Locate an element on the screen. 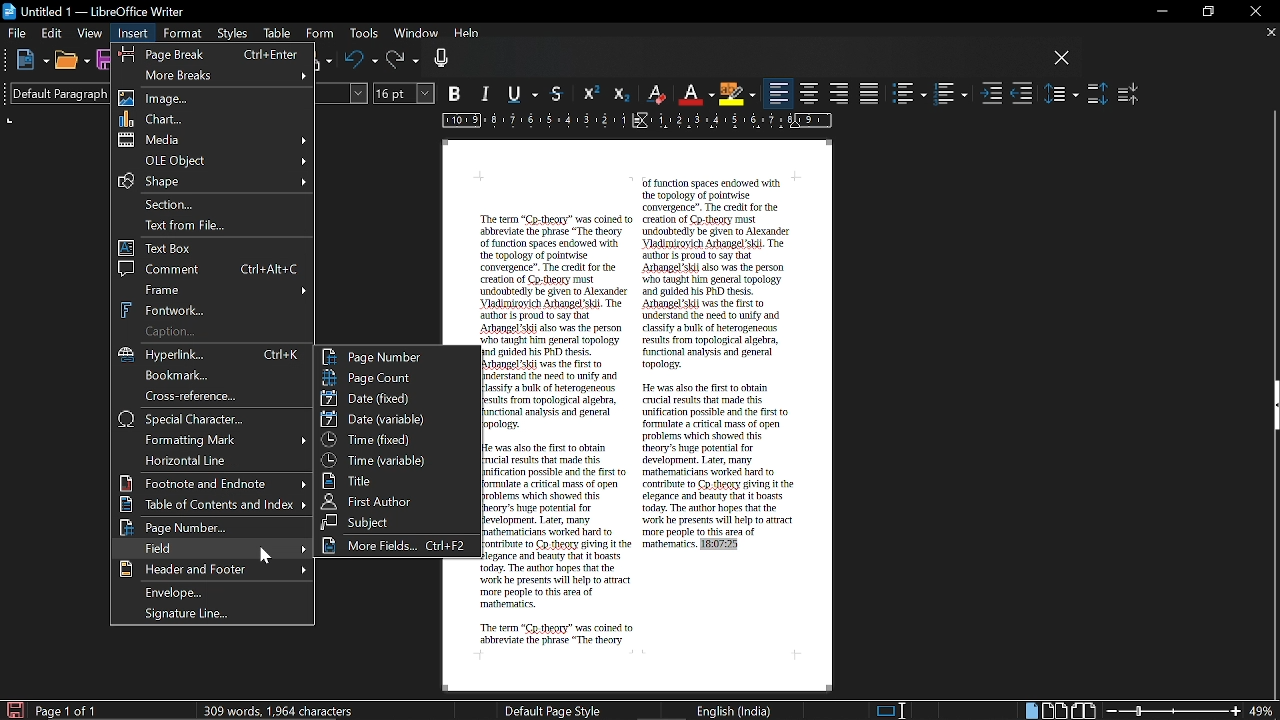 The width and height of the screenshot is (1280, 720). BOld is located at coordinates (457, 93).